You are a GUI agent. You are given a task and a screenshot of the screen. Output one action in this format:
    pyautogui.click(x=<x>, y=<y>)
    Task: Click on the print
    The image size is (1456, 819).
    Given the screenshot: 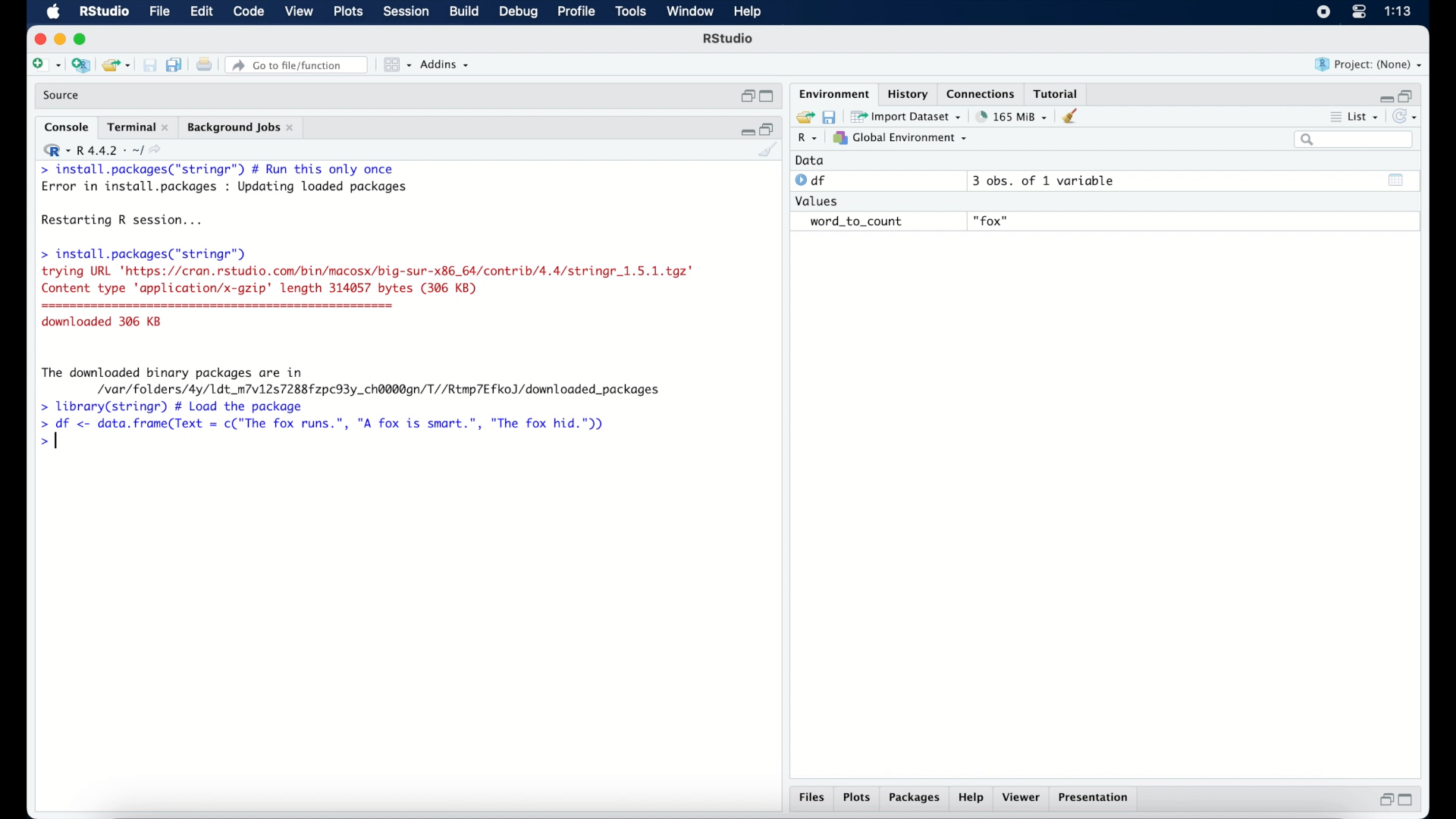 What is the action you would take?
    pyautogui.click(x=204, y=66)
    